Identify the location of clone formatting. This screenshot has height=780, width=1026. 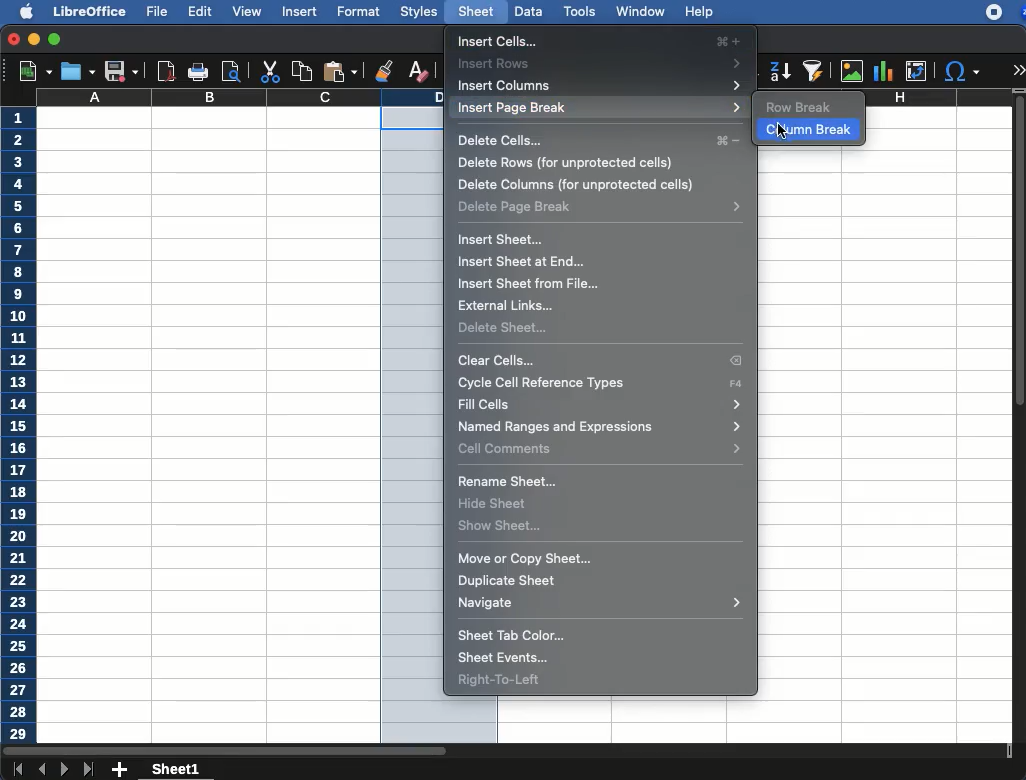
(383, 70).